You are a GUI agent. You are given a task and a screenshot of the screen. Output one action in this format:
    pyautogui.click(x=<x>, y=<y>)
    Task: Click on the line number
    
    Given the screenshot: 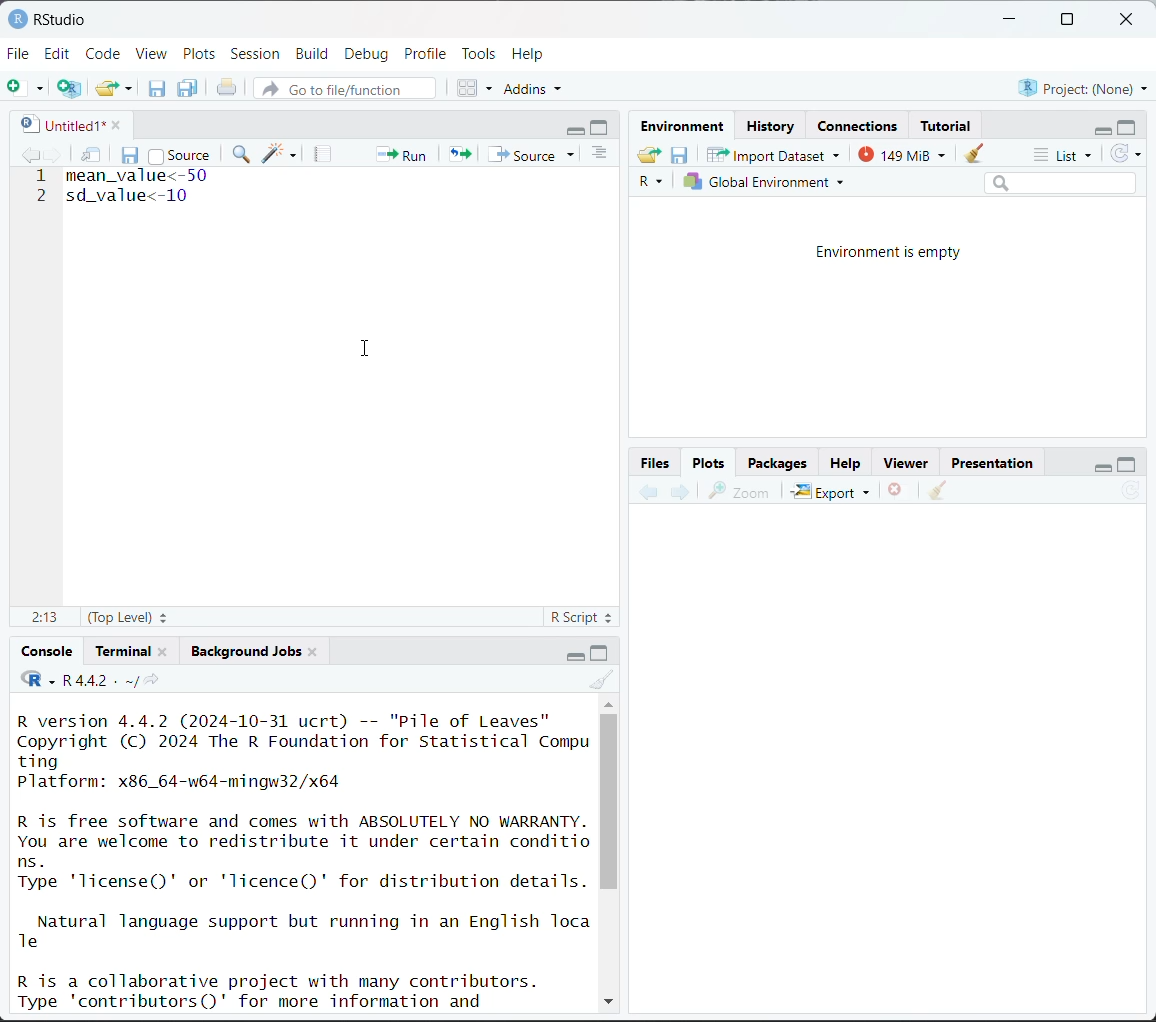 What is the action you would take?
    pyautogui.click(x=43, y=186)
    